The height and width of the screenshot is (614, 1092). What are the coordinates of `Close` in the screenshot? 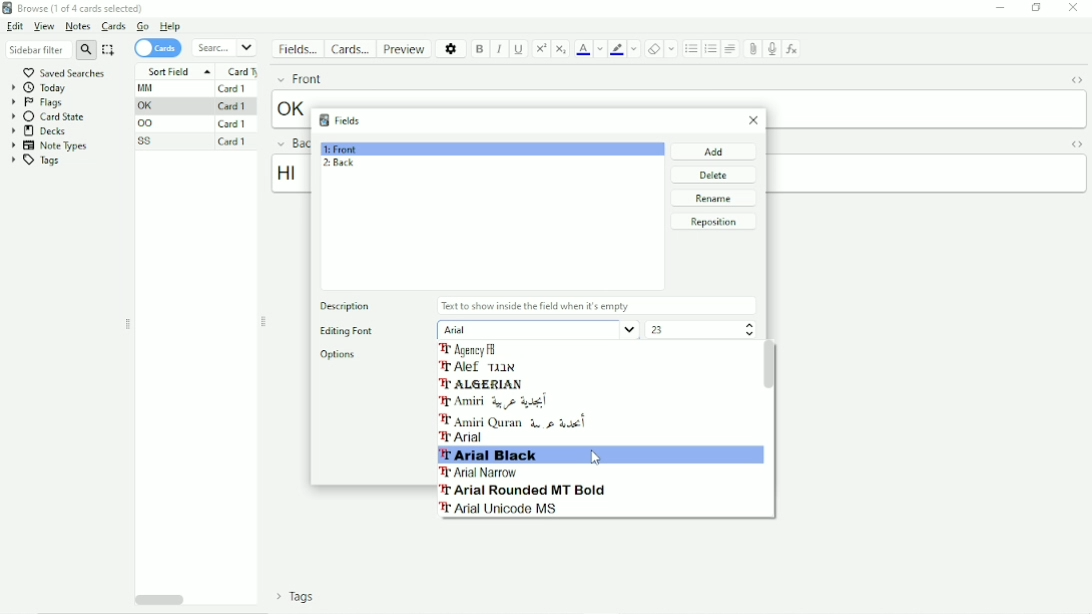 It's located at (1074, 8).